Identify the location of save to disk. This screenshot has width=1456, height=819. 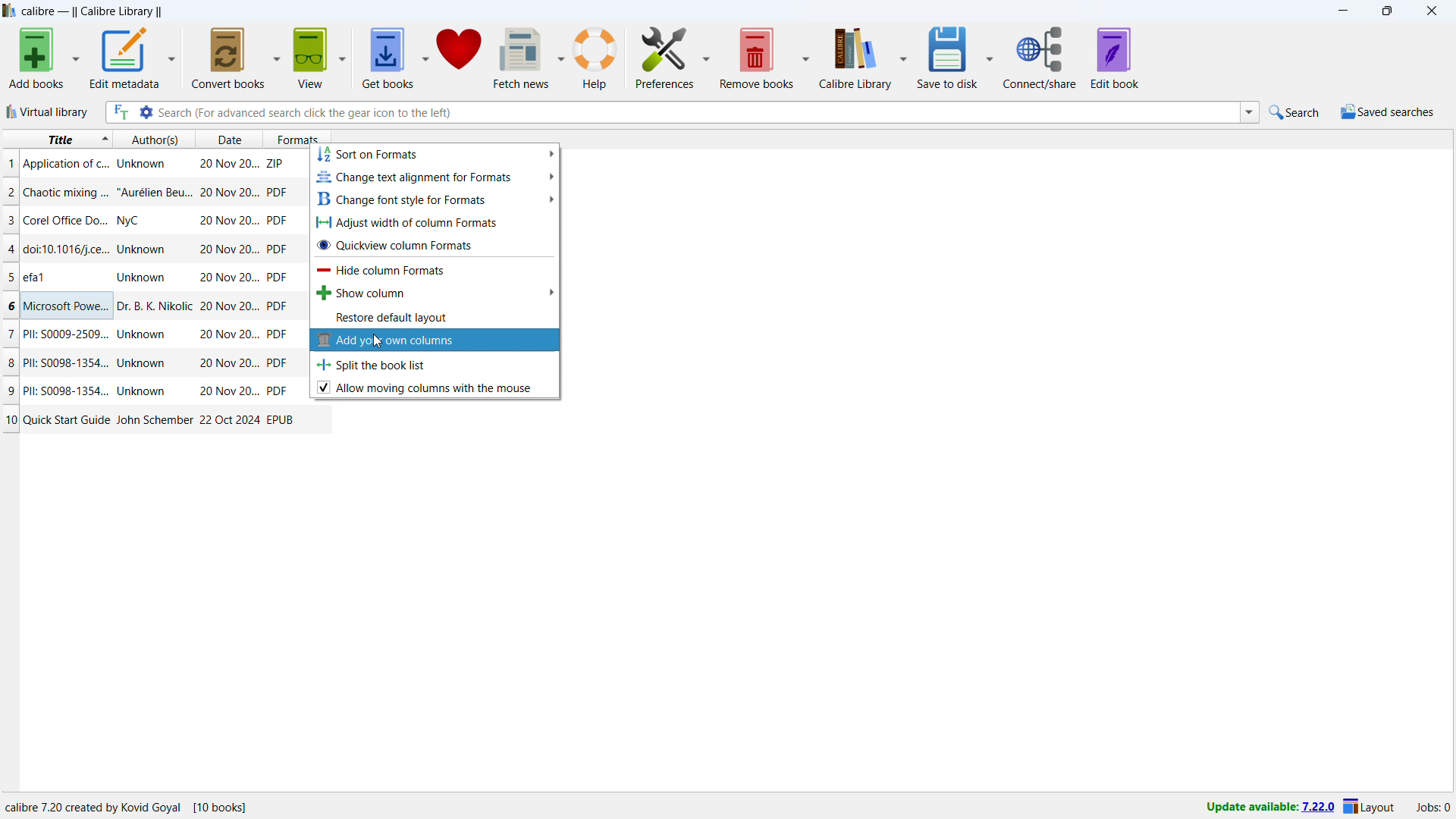
(947, 57).